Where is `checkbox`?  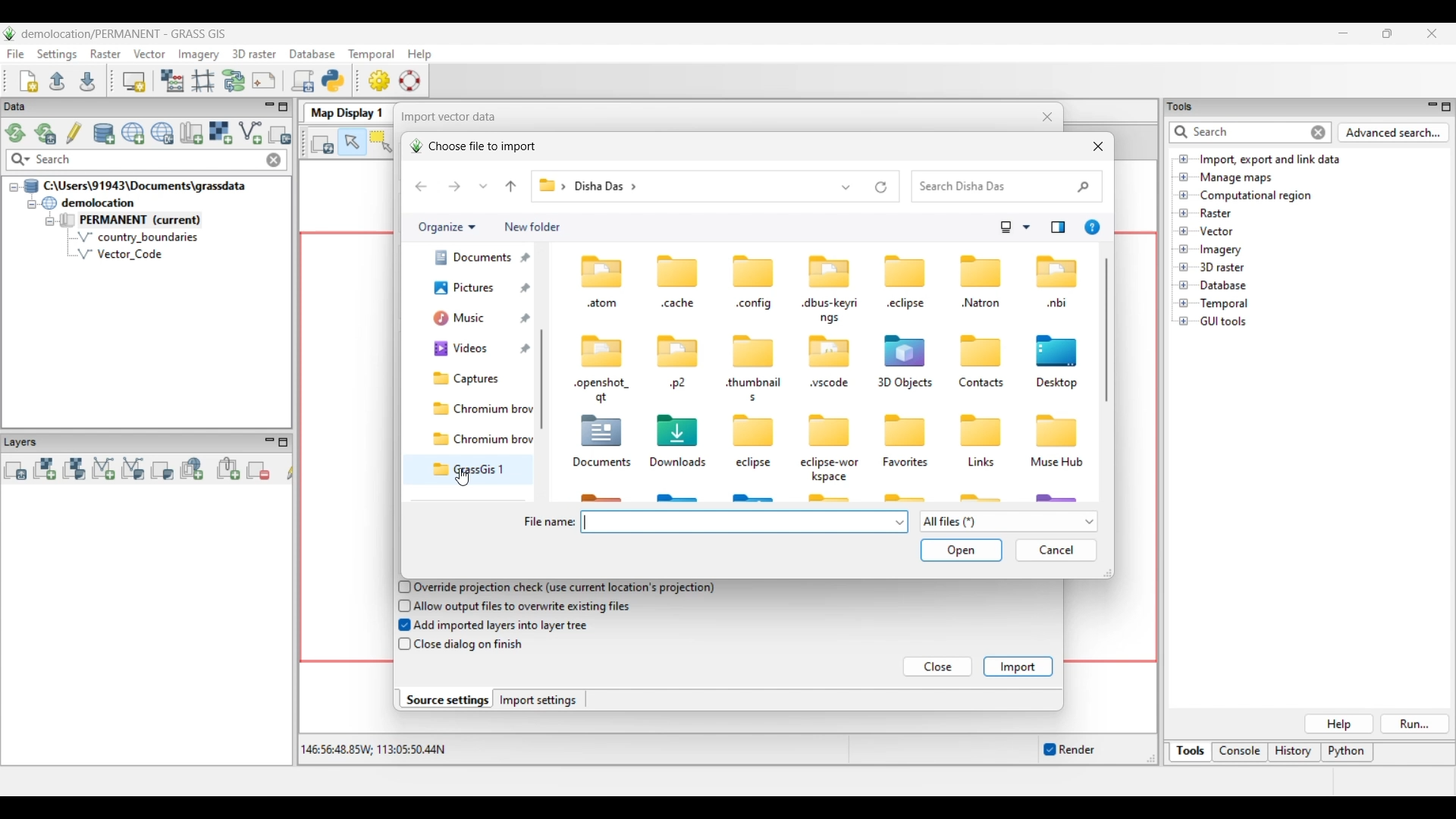 checkbox is located at coordinates (401, 586).